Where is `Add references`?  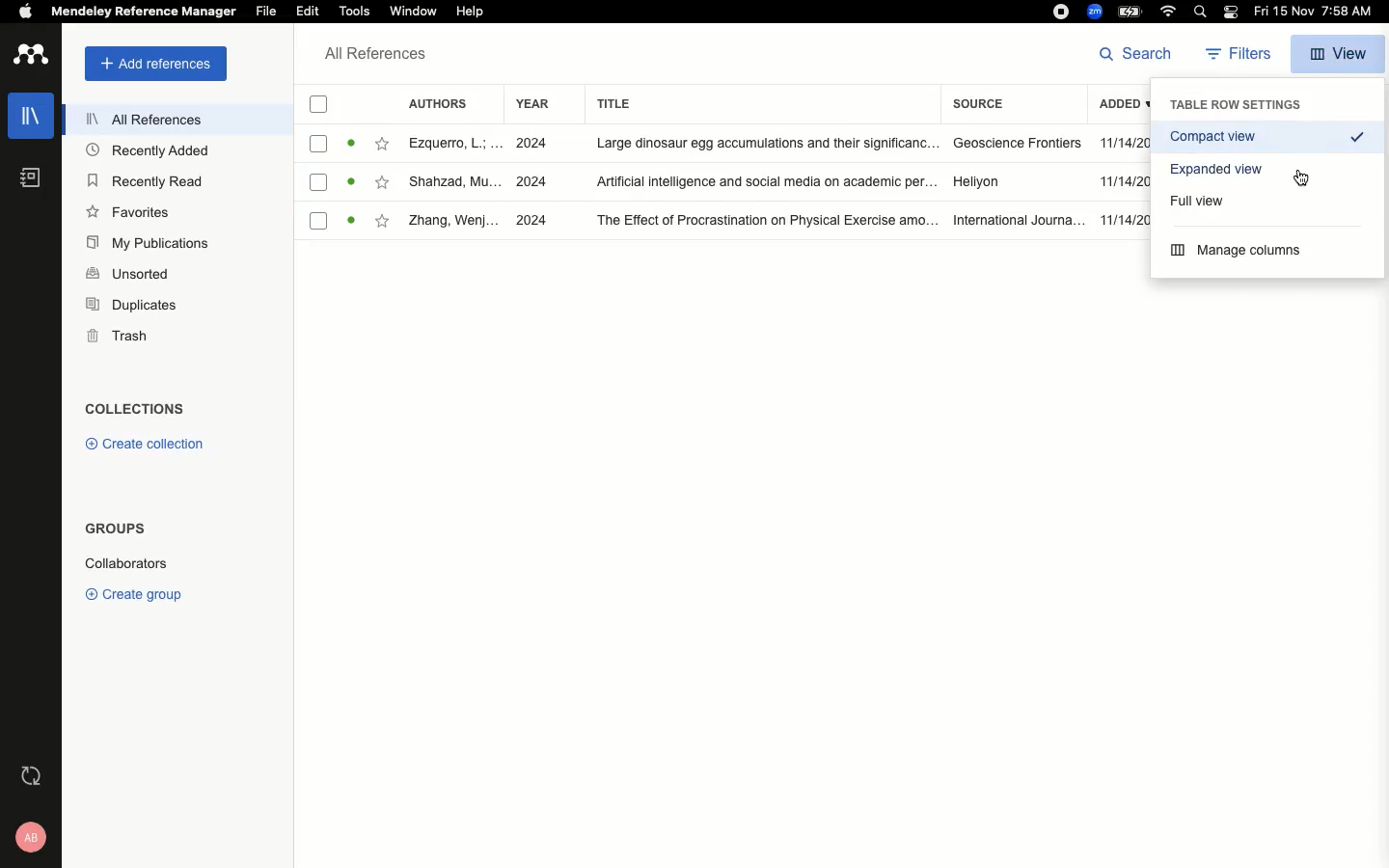
Add references is located at coordinates (150, 65).